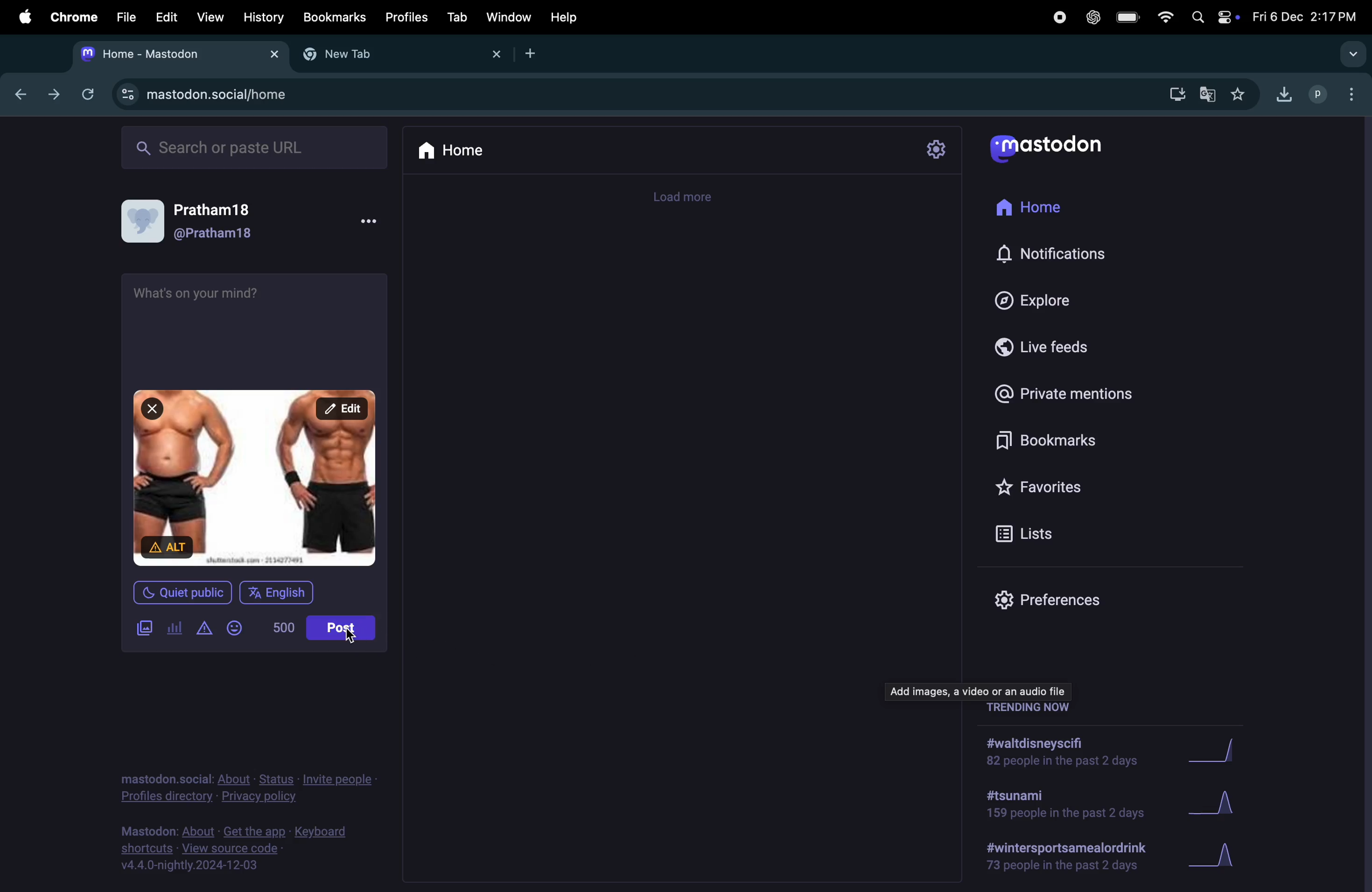 This screenshot has width=1372, height=892. I want to click on apple menu, so click(24, 17).